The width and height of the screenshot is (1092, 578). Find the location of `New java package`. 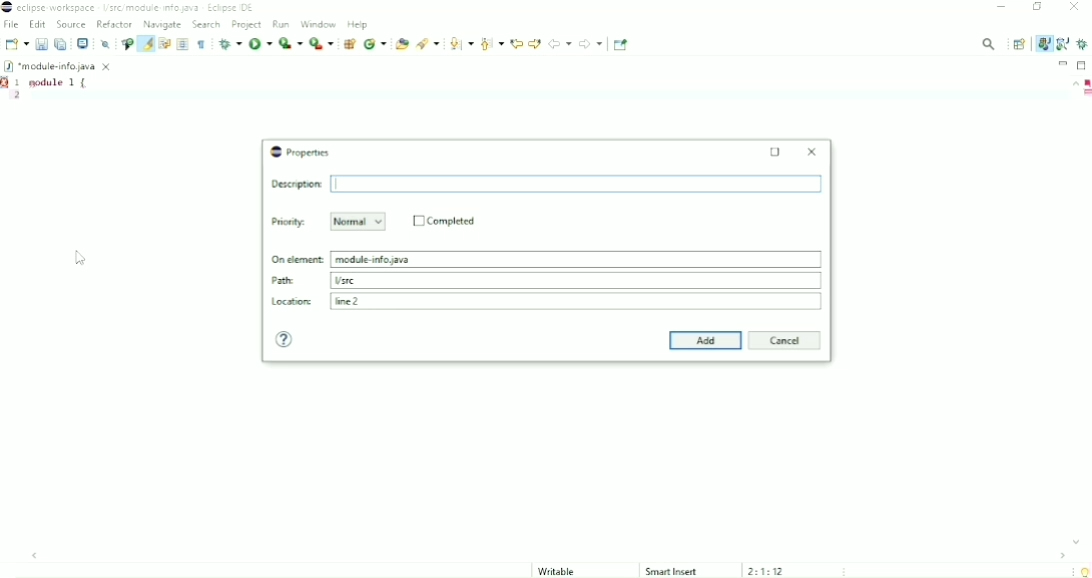

New java package is located at coordinates (349, 44).